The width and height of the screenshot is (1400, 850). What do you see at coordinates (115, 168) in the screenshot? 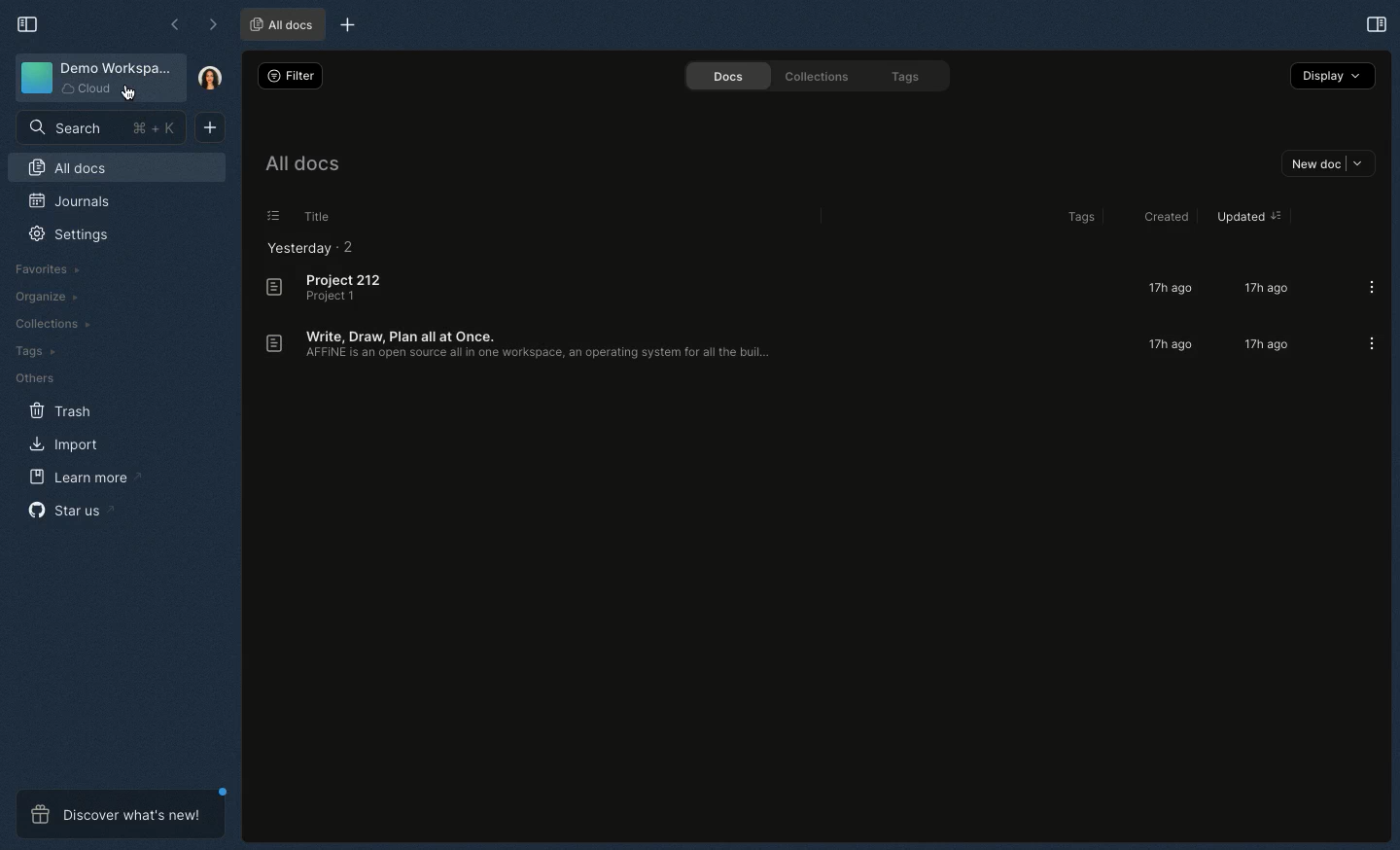
I see `All docs` at bounding box center [115, 168].